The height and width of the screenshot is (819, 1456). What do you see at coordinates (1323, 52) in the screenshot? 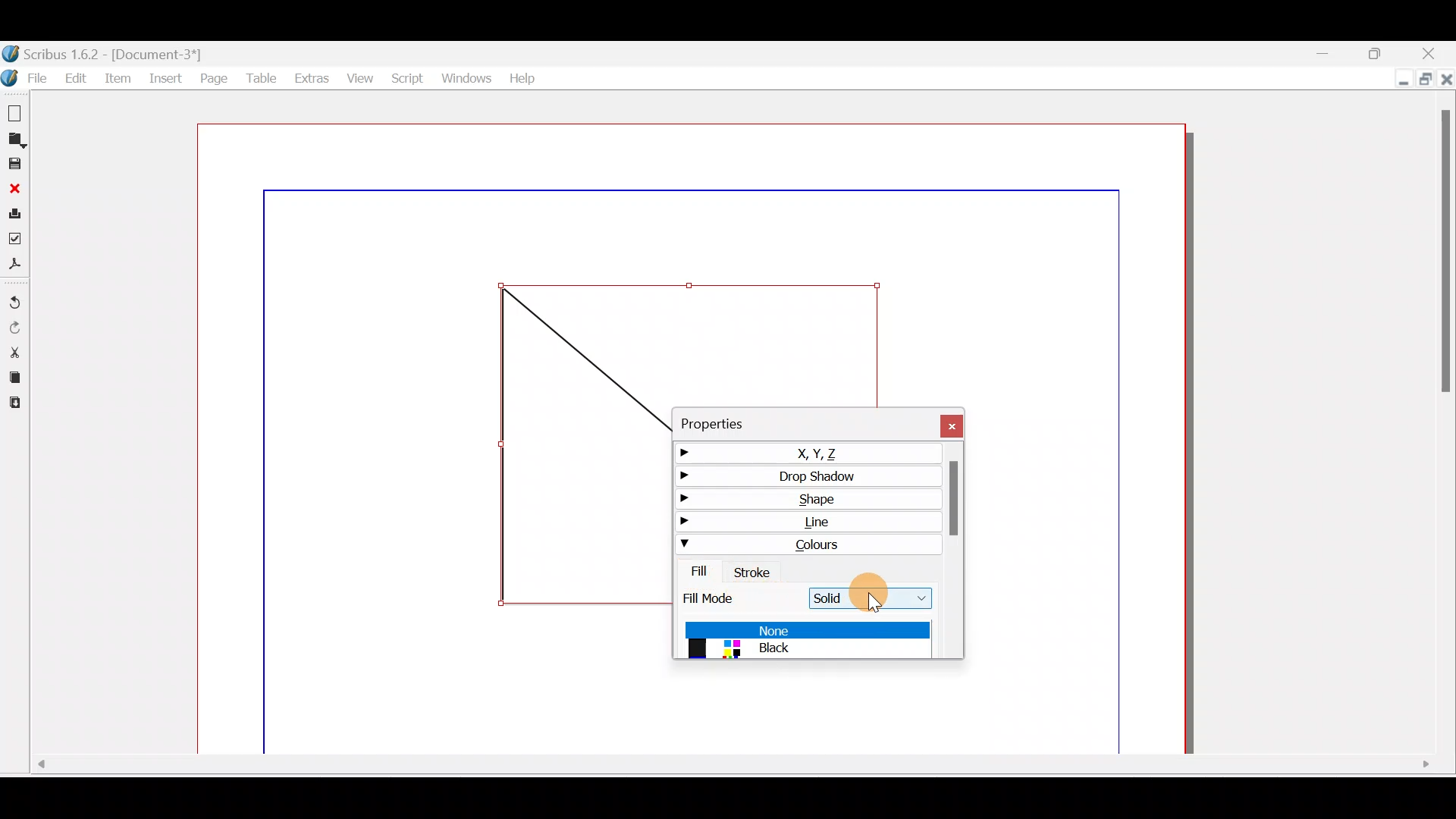
I see `Minimise` at bounding box center [1323, 52].